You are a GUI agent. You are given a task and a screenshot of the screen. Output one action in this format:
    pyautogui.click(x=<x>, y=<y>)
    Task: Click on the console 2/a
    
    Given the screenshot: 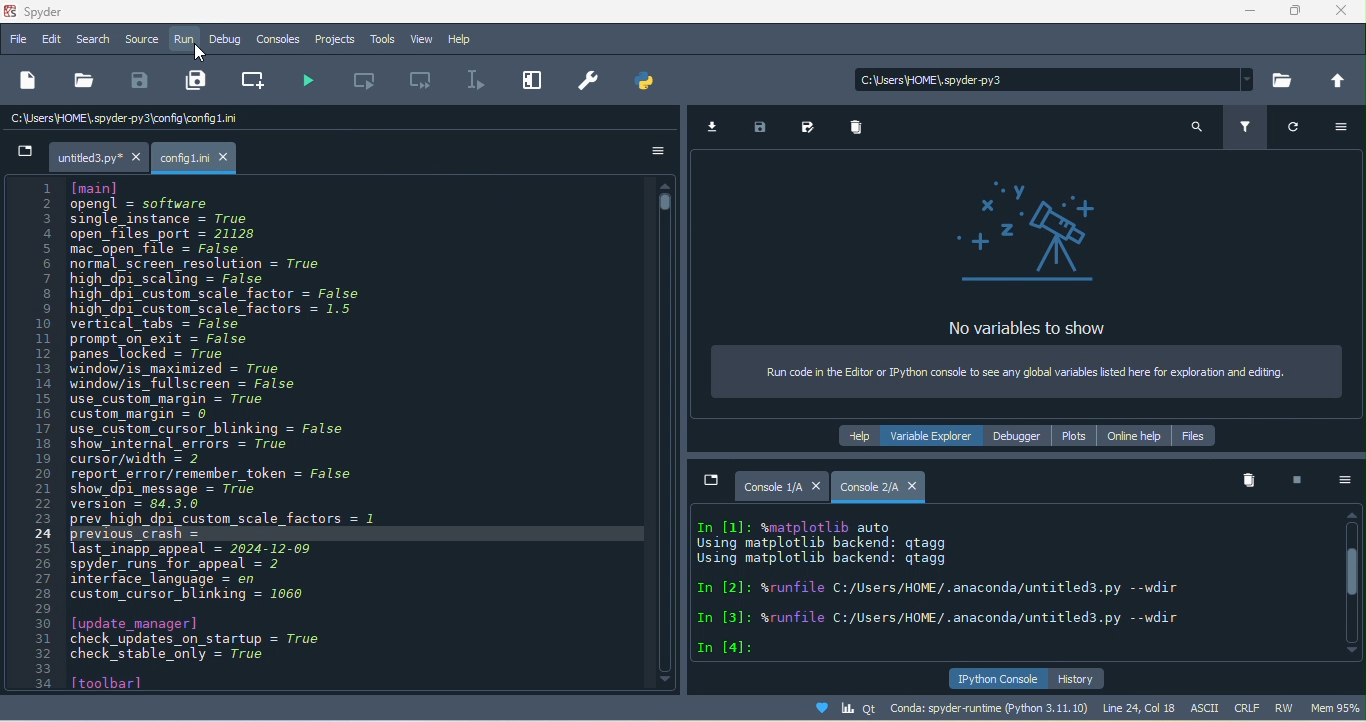 What is the action you would take?
    pyautogui.click(x=878, y=486)
    